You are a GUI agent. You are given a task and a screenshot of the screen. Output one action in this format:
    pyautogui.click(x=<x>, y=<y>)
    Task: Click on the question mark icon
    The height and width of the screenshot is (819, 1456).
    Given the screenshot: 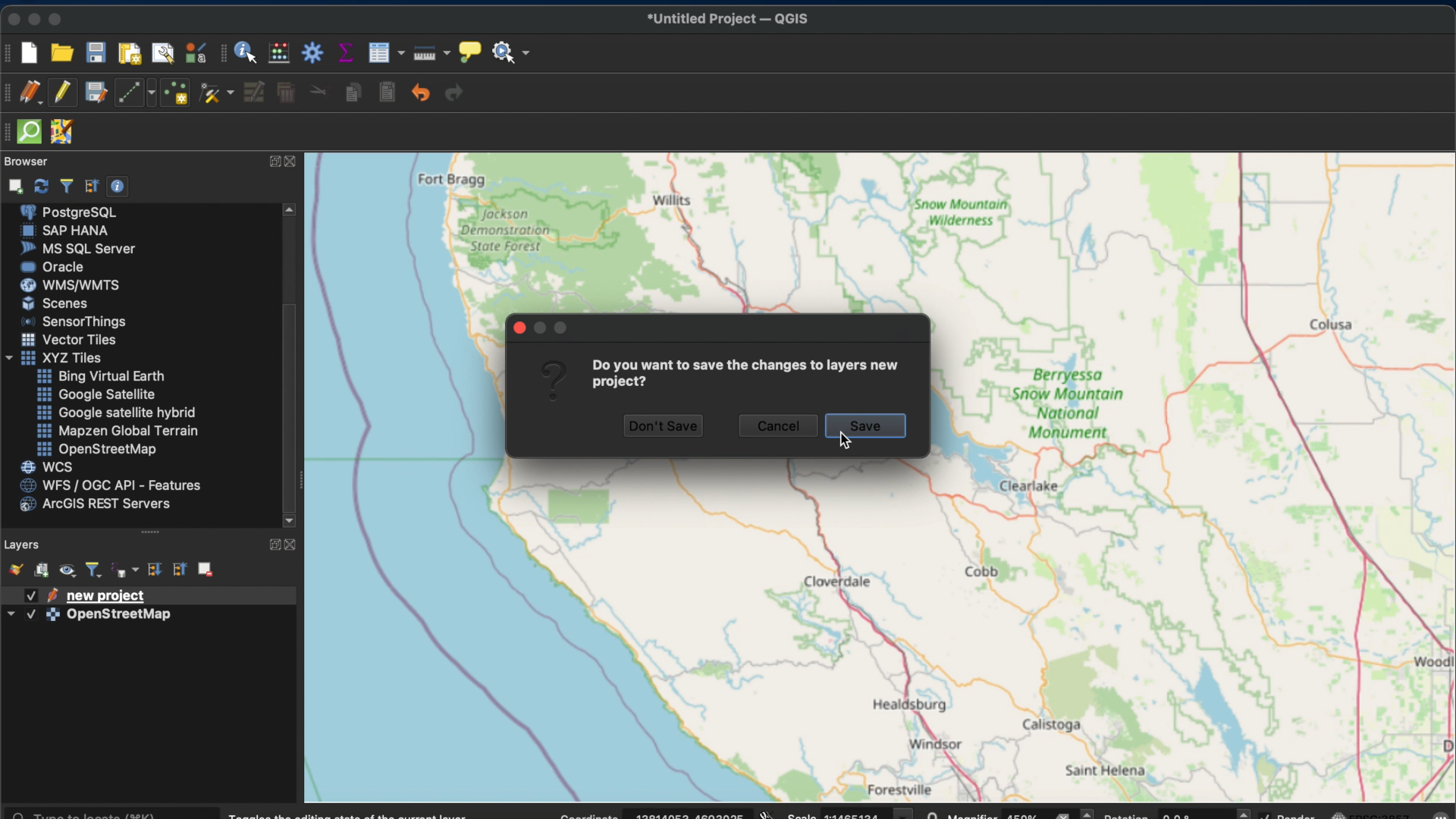 What is the action you would take?
    pyautogui.click(x=554, y=380)
    